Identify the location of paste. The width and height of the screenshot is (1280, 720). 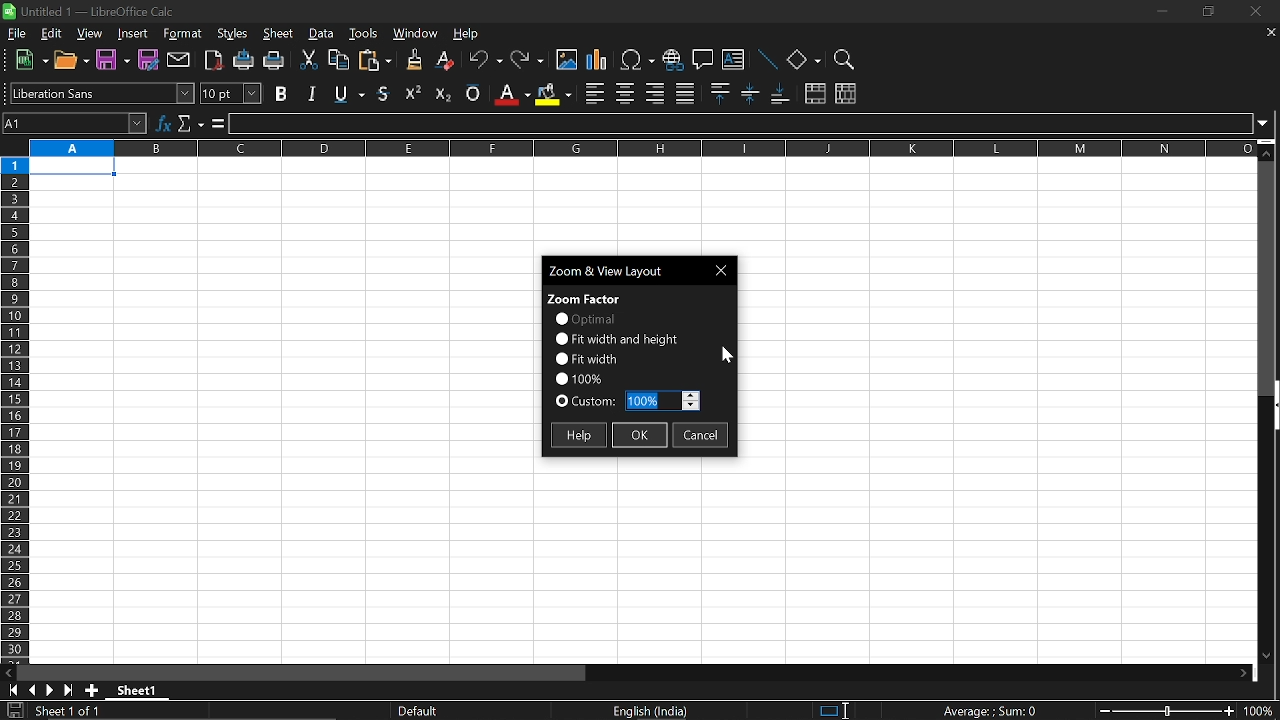
(374, 62).